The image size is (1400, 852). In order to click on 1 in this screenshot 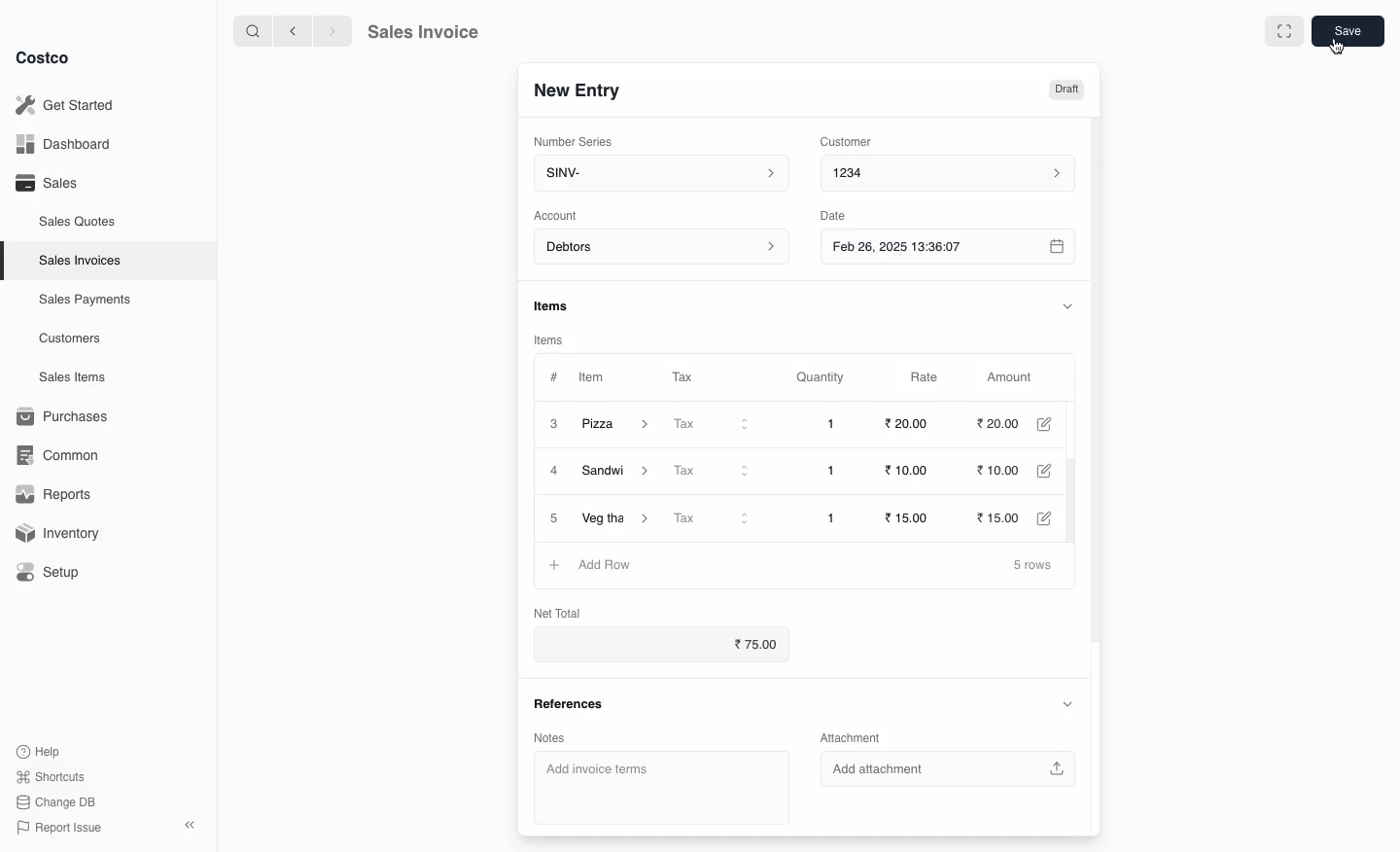, I will do `click(836, 471)`.